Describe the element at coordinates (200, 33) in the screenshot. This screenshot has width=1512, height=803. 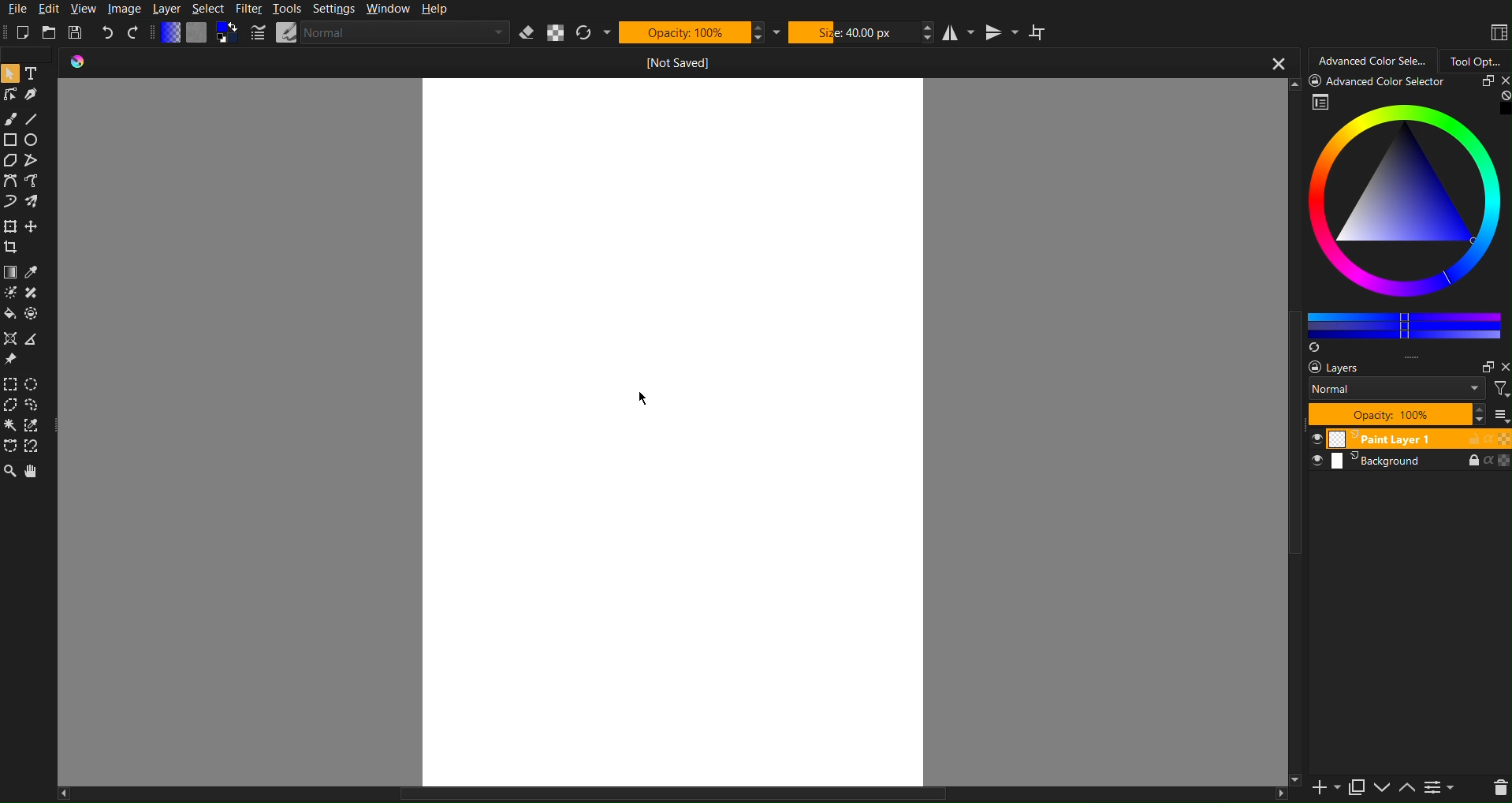
I see `Color Settings` at that location.